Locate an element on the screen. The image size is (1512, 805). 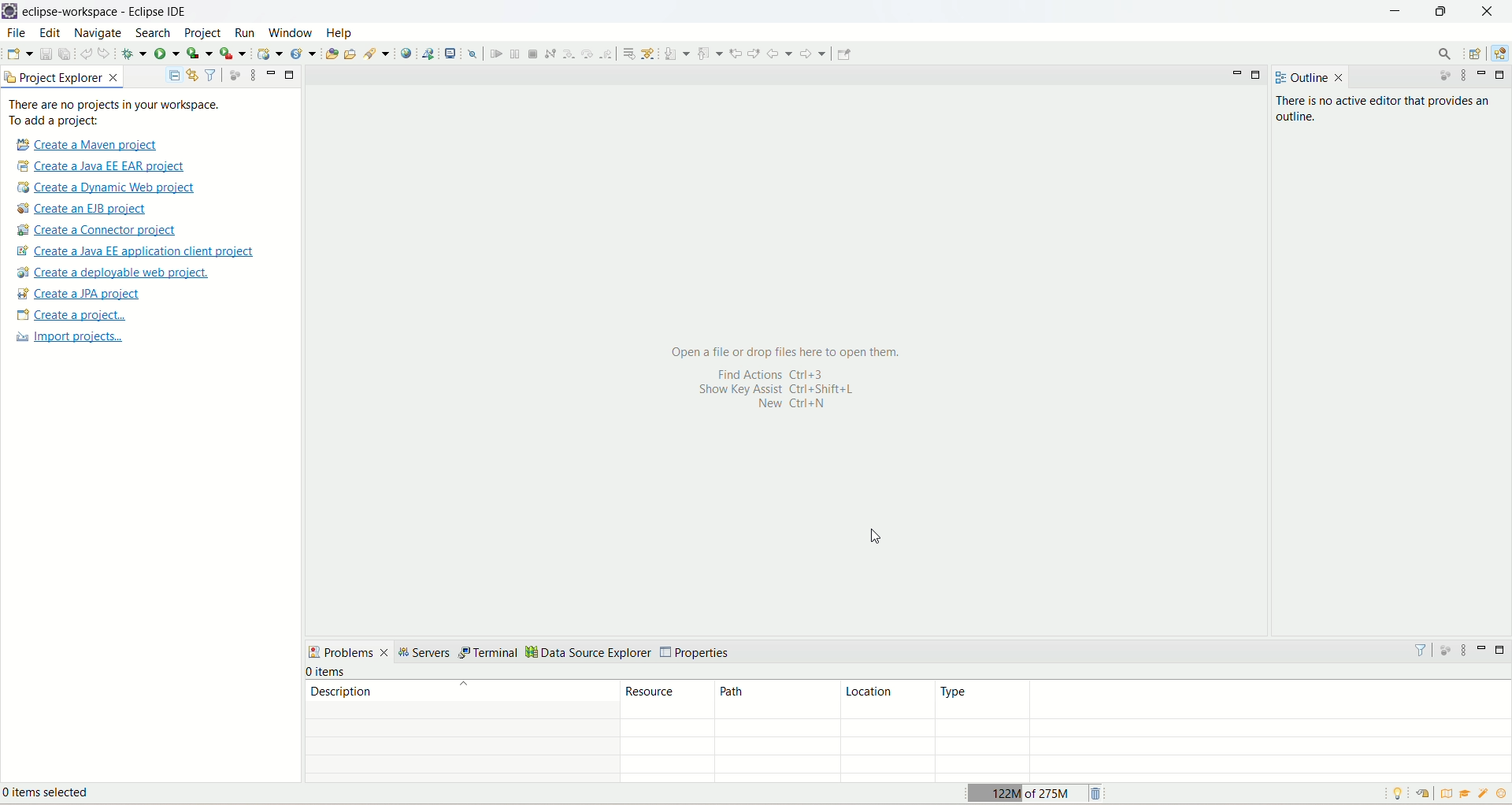
create a EJB project is located at coordinates (92, 209).